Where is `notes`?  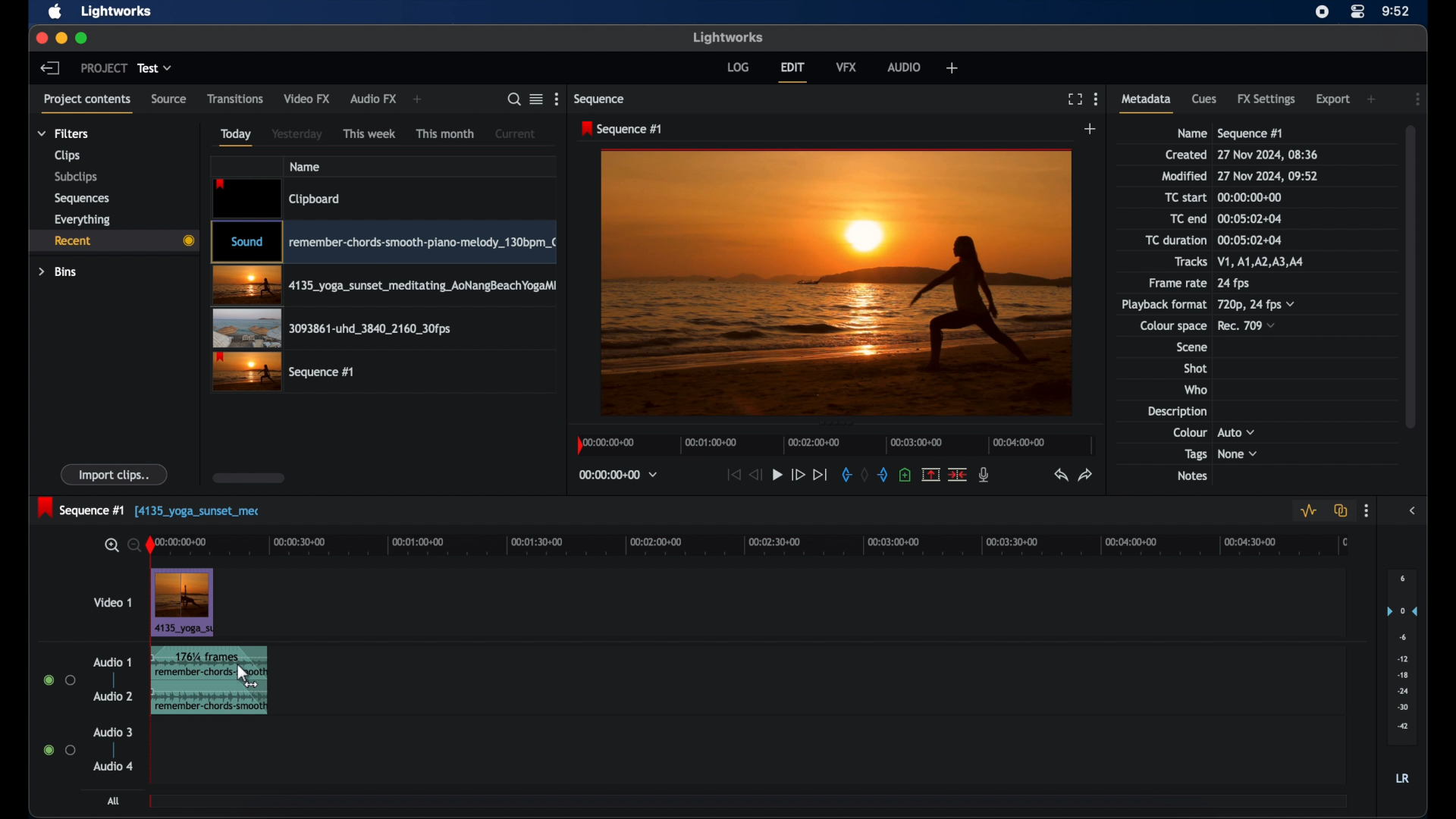
notes is located at coordinates (1191, 476).